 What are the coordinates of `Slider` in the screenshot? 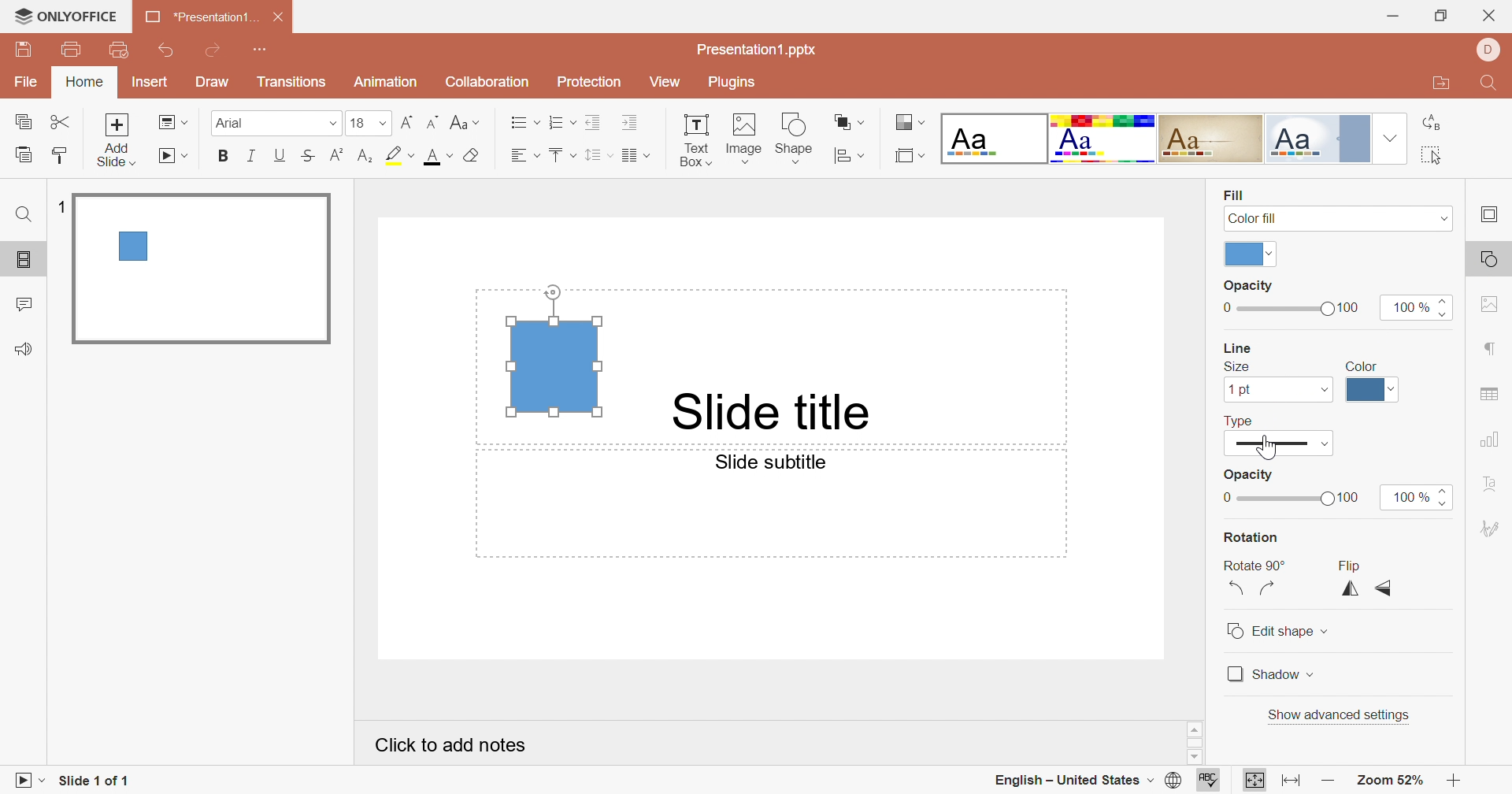 It's located at (1249, 499).